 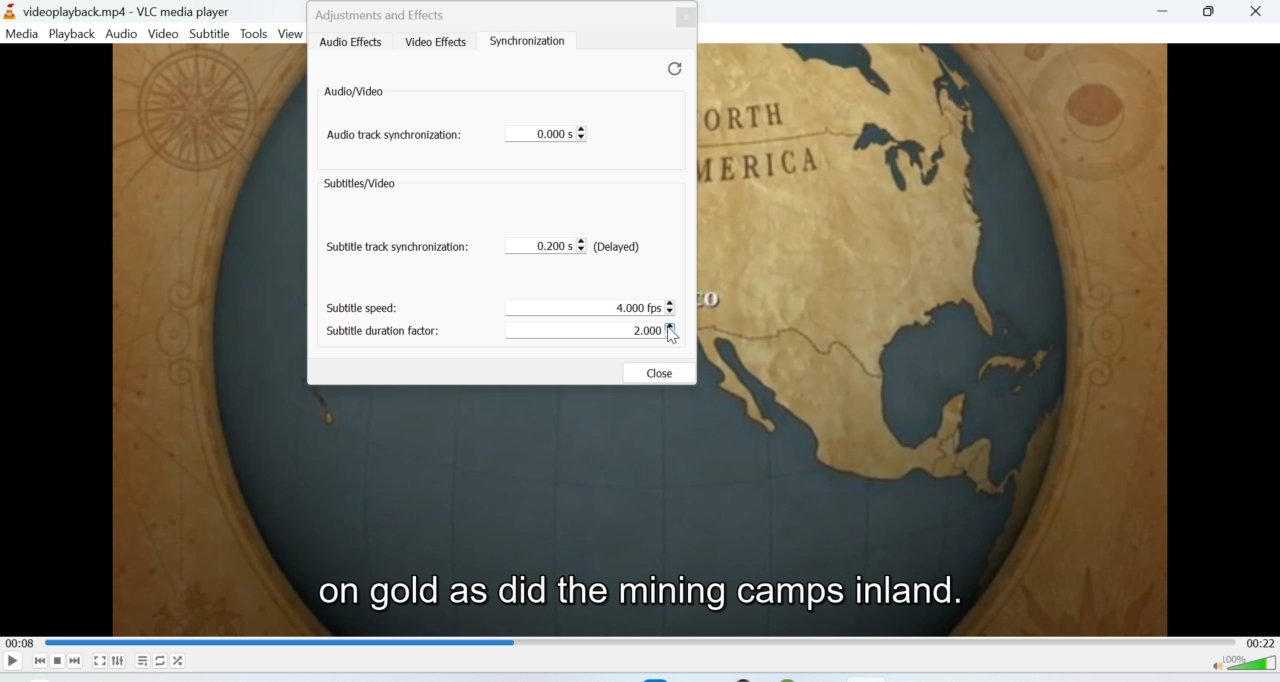 I want to click on Close, so click(x=661, y=373).